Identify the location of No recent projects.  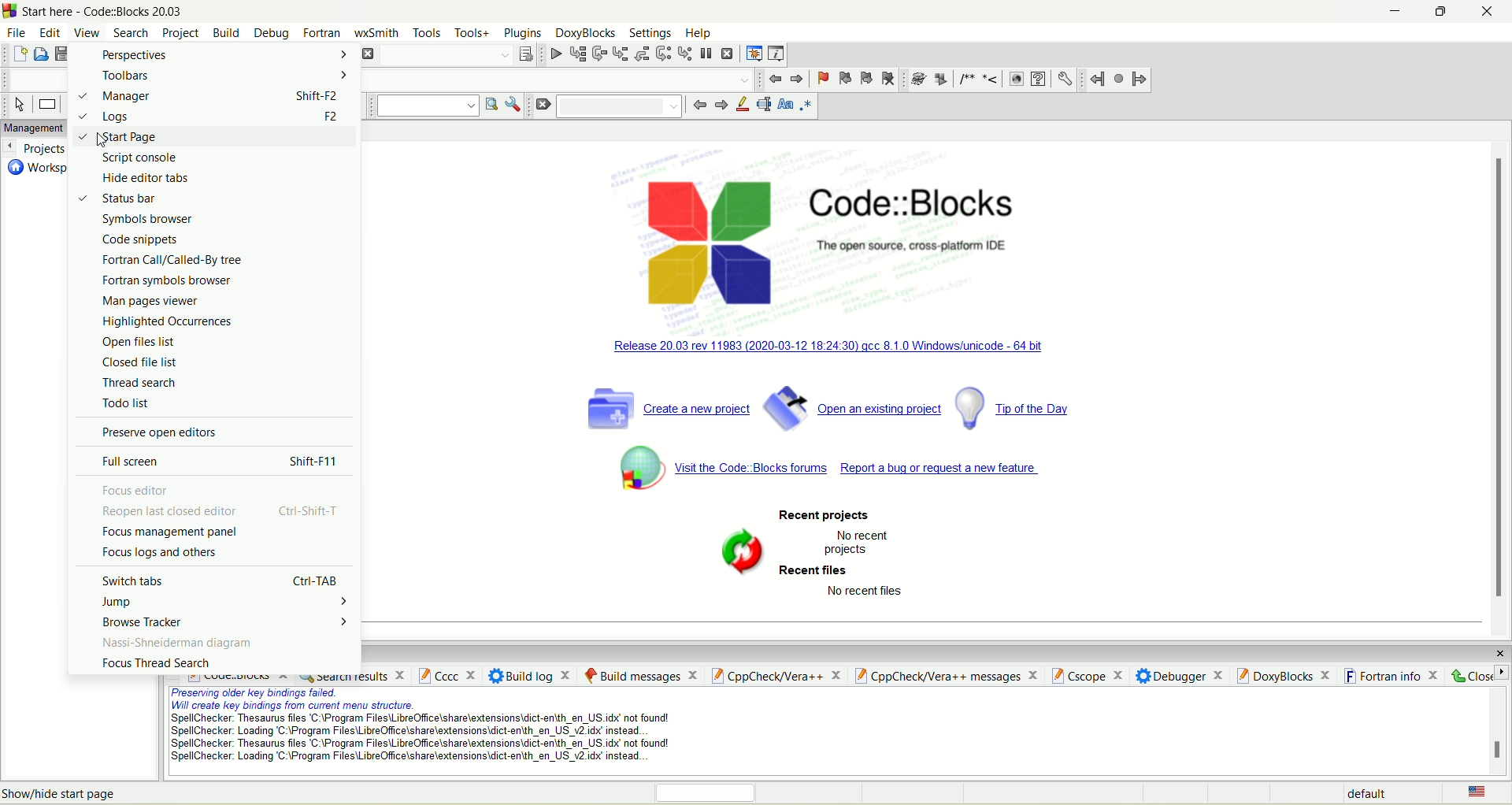
(858, 543).